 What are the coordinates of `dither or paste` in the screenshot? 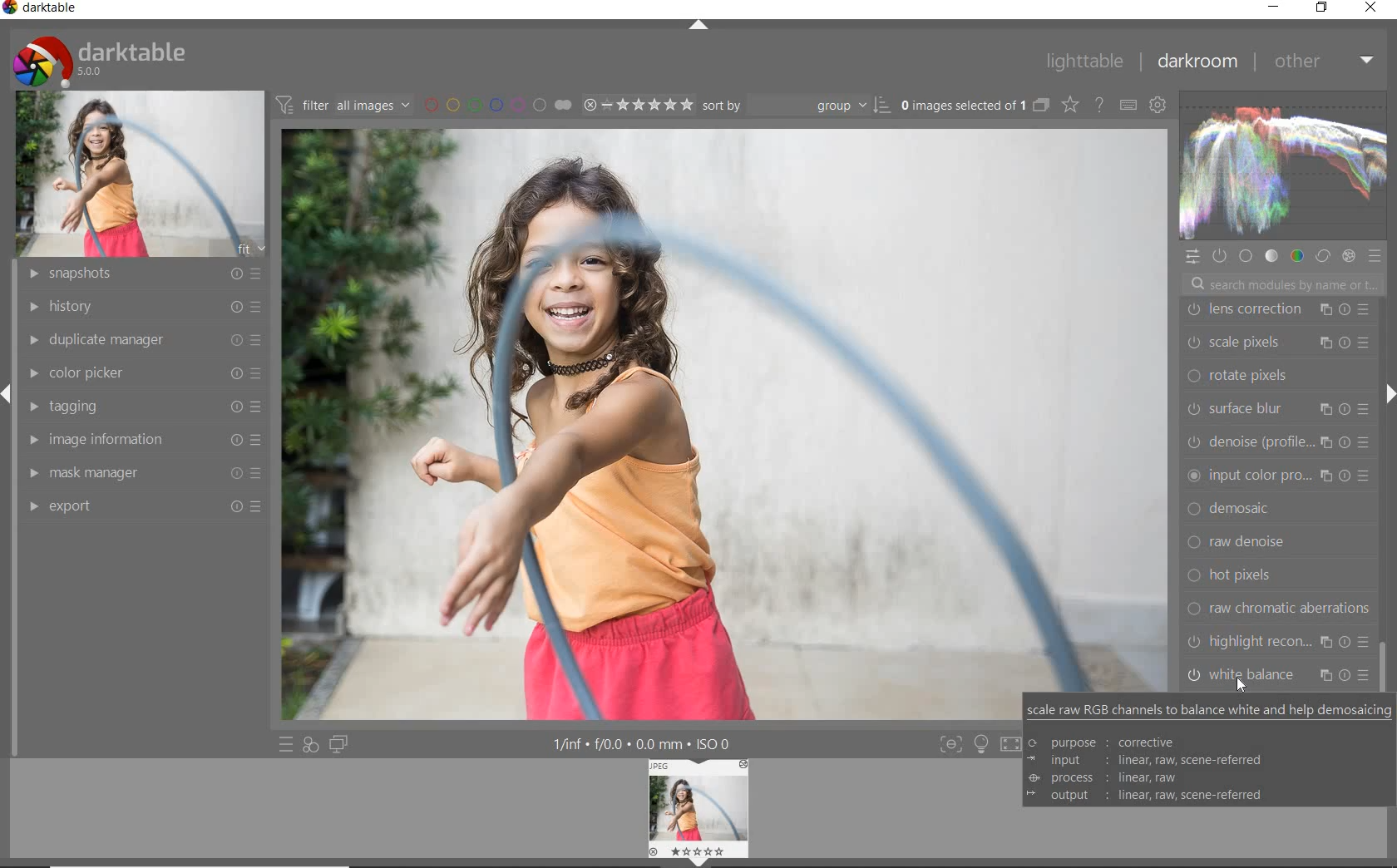 It's located at (1274, 380).